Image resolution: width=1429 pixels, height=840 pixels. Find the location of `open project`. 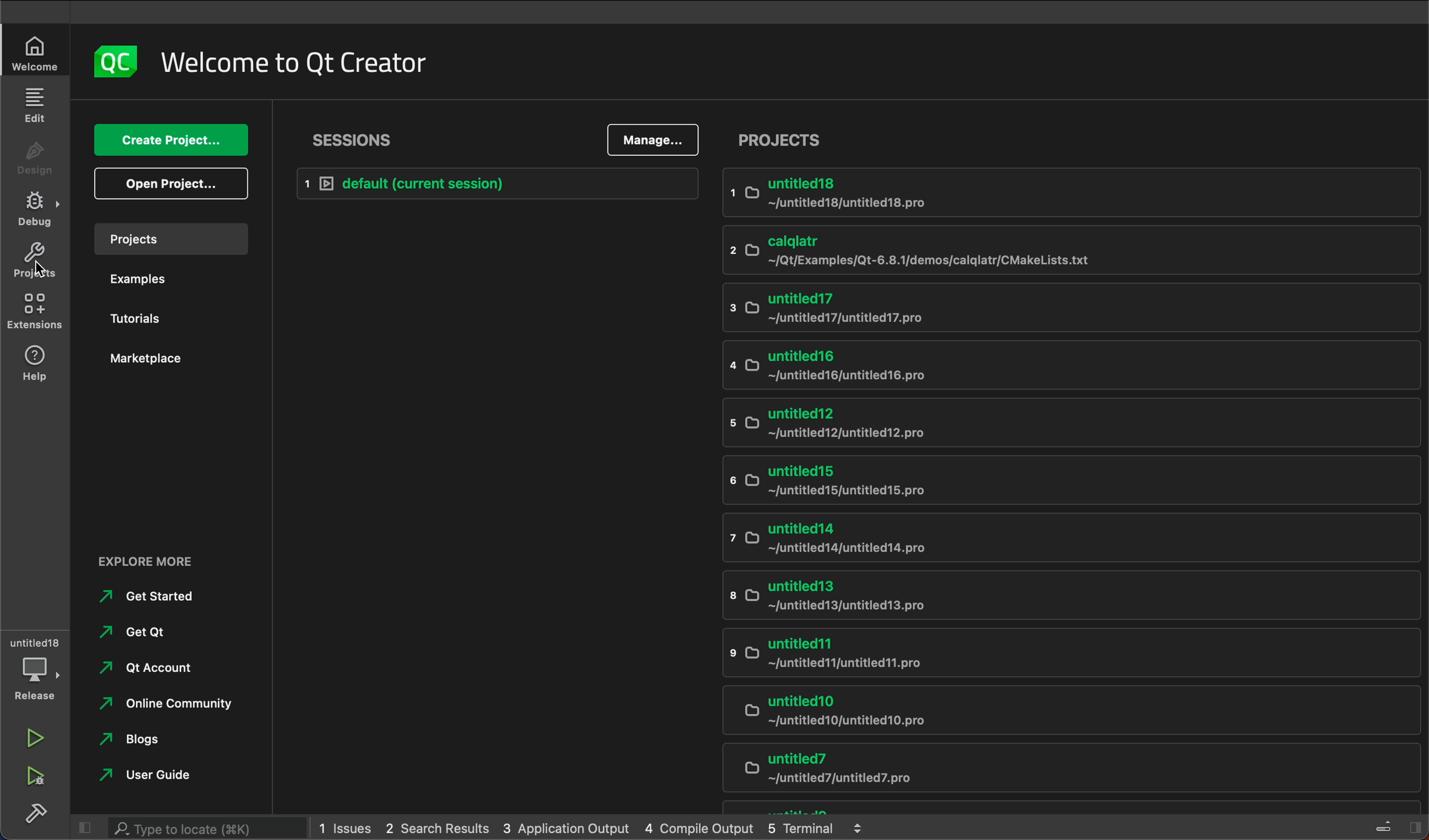

open project is located at coordinates (173, 182).